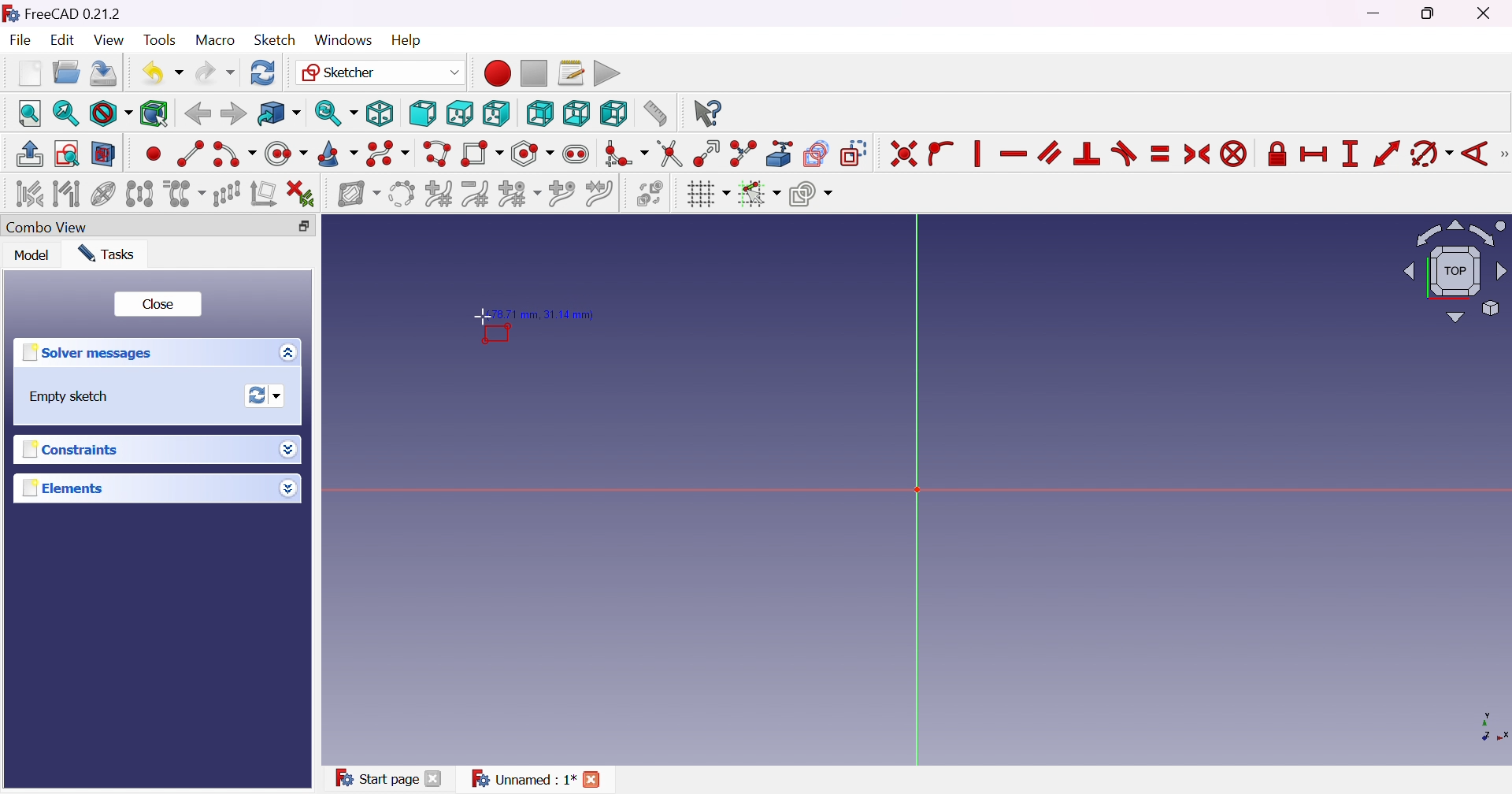 The image size is (1512, 794). What do you see at coordinates (519, 193) in the screenshot?
I see `Modify knot multiplicity` at bounding box center [519, 193].